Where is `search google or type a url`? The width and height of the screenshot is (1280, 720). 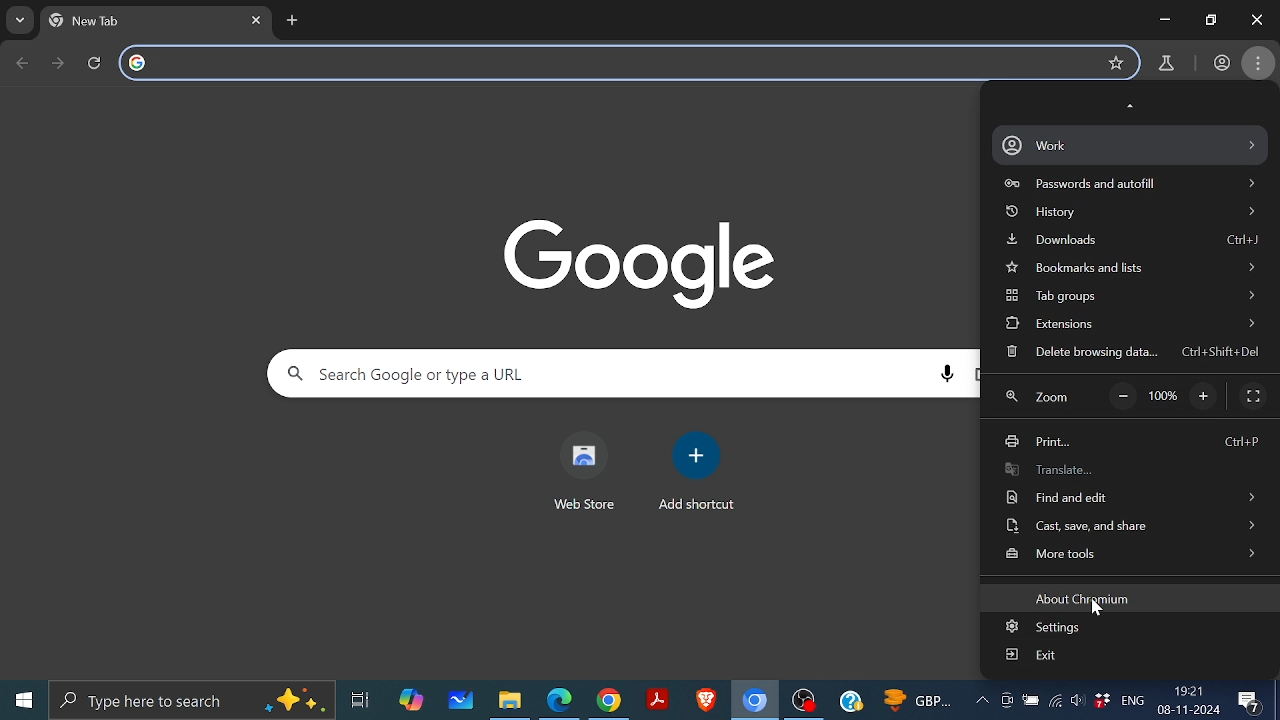
search google or type a url is located at coordinates (610, 60).